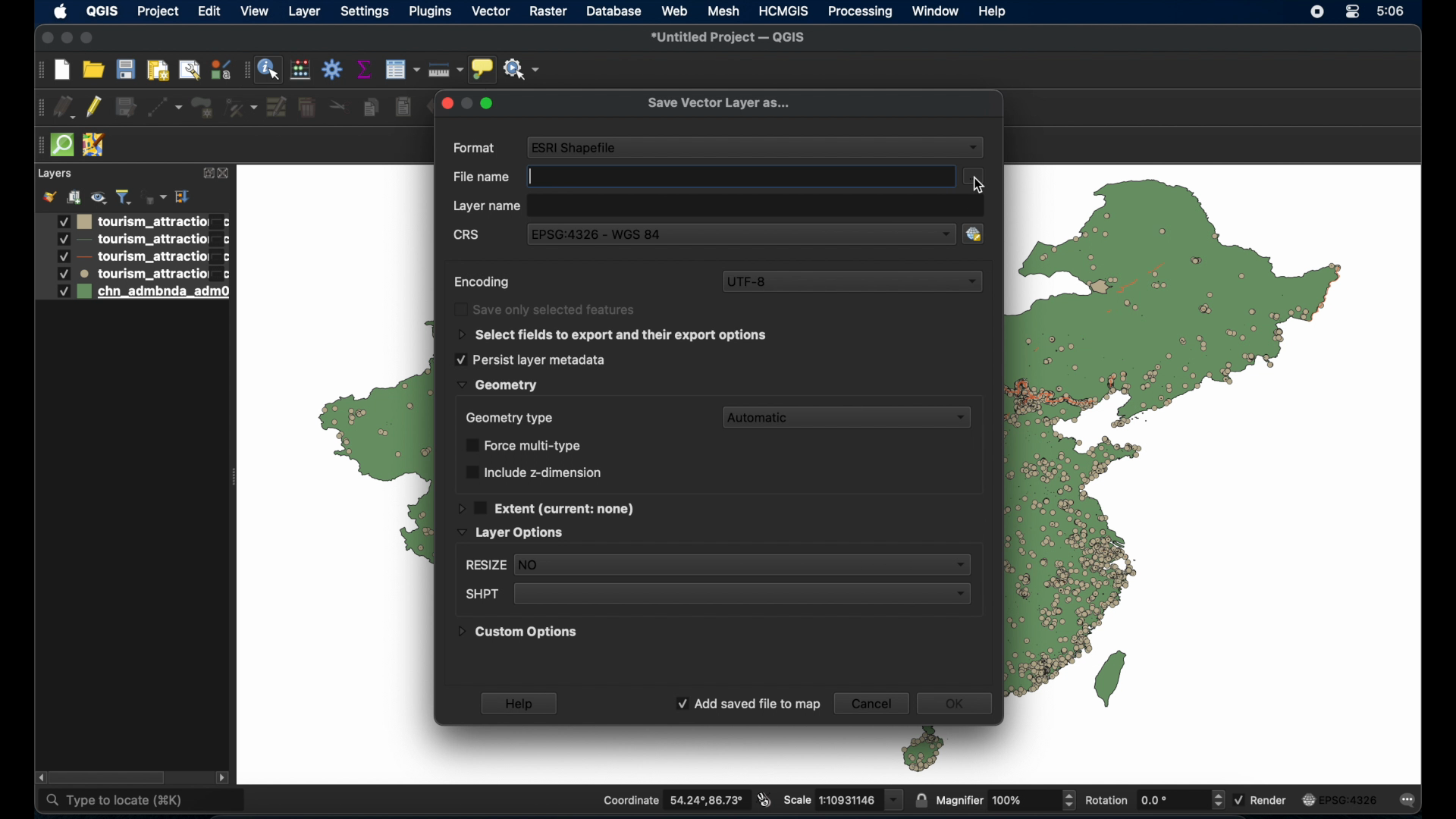 The width and height of the screenshot is (1456, 819). Describe the element at coordinates (39, 70) in the screenshot. I see `drag handle` at that location.